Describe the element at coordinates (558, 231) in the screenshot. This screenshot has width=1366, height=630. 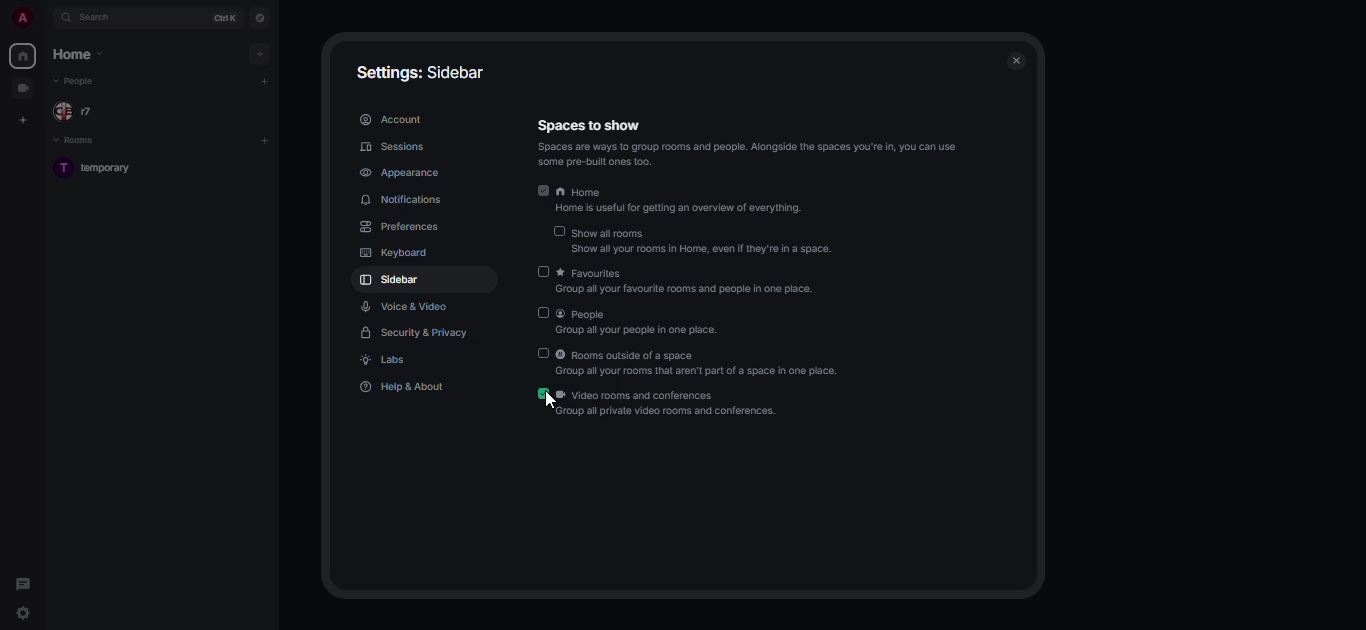
I see `disabled` at that location.